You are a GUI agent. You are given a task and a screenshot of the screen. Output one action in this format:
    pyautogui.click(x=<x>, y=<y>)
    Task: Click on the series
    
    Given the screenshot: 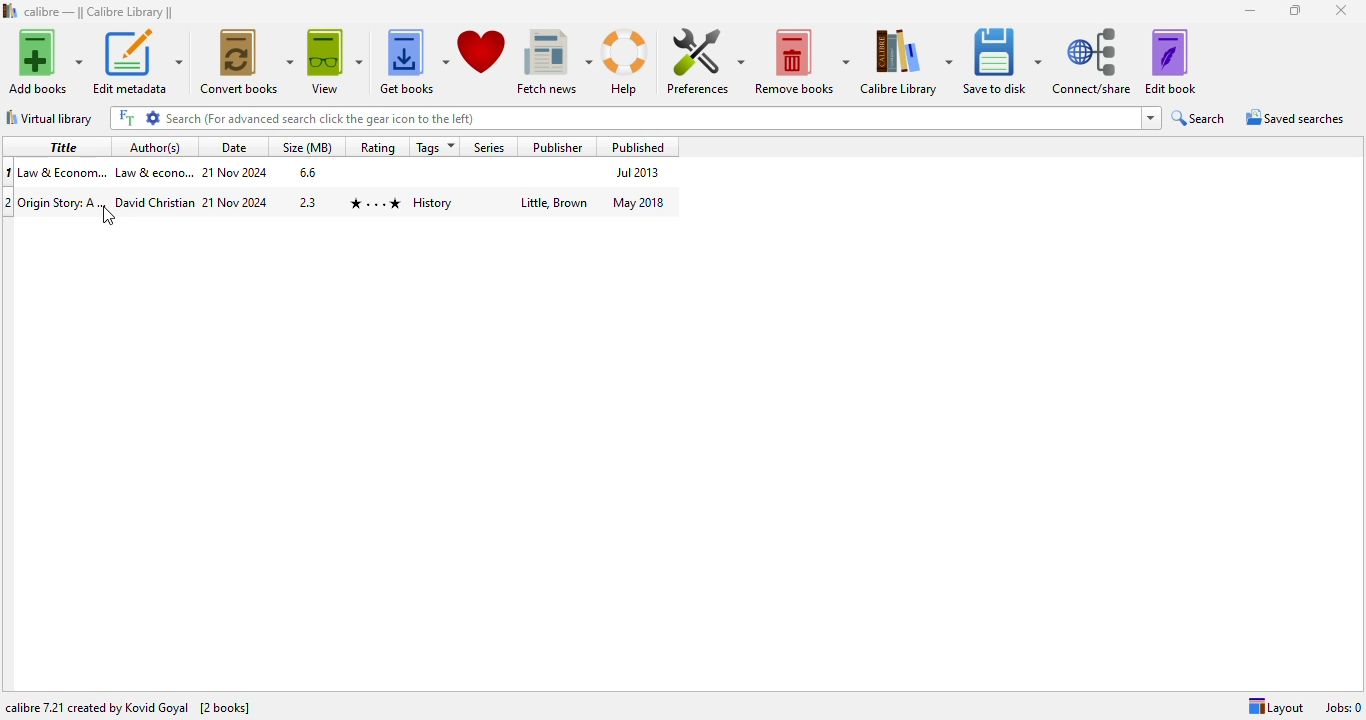 What is the action you would take?
    pyautogui.click(x=490, y=146)
    